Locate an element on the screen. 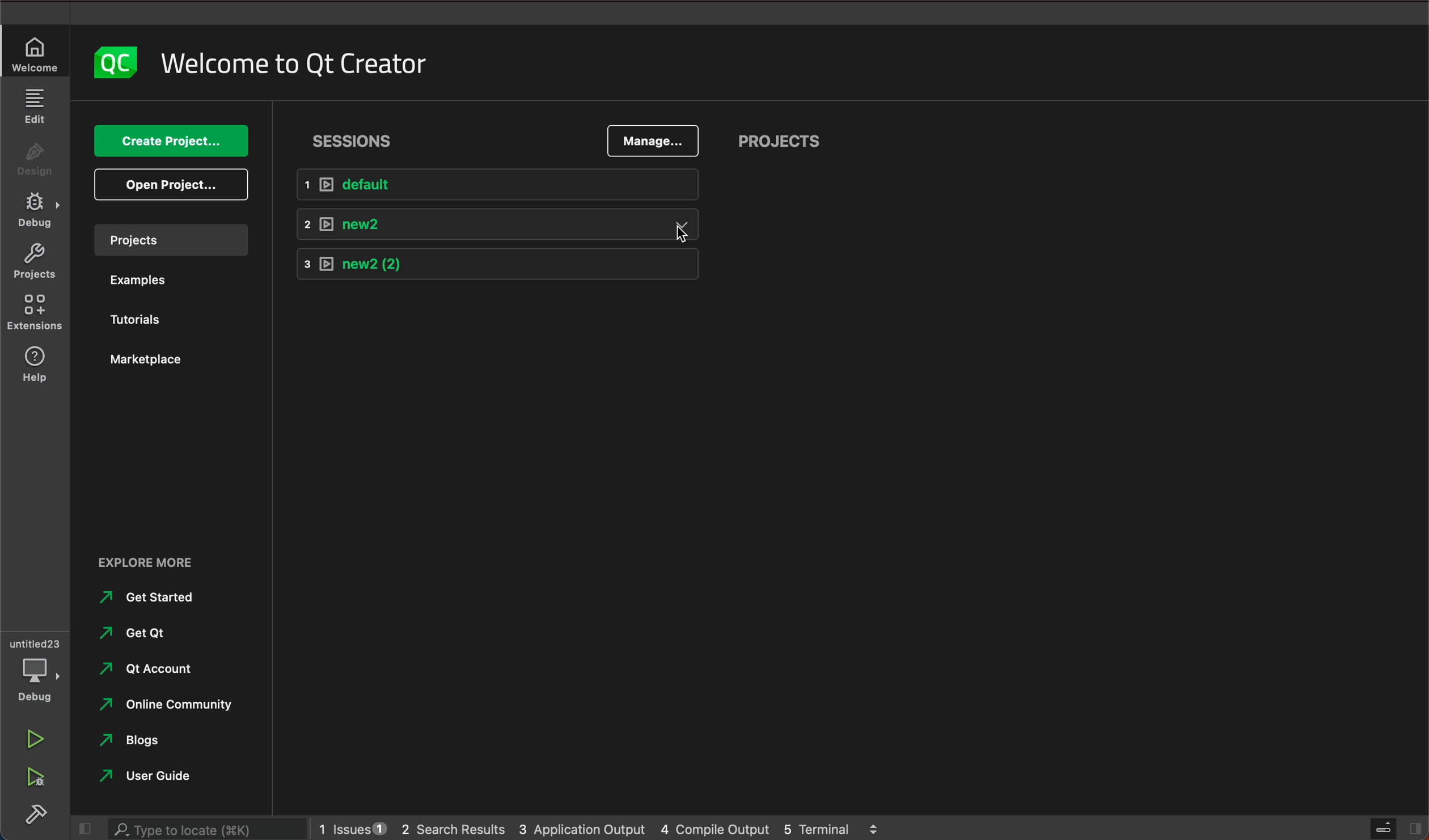  close slidebar is located at coordinates (1393, 828).